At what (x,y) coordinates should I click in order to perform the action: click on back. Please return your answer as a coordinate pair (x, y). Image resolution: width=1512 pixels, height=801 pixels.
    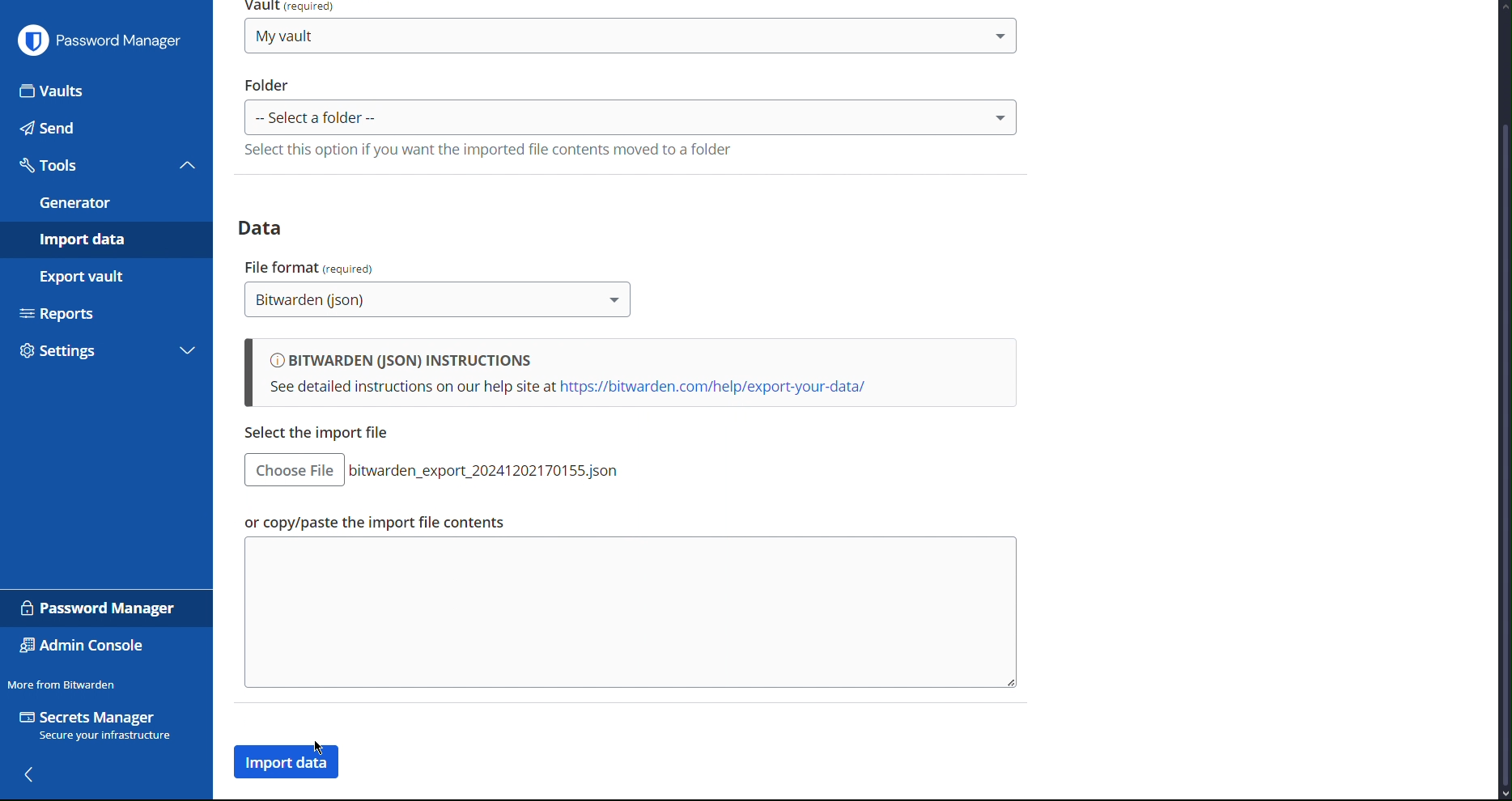
    Looking at the image, I should click on (33, 775).